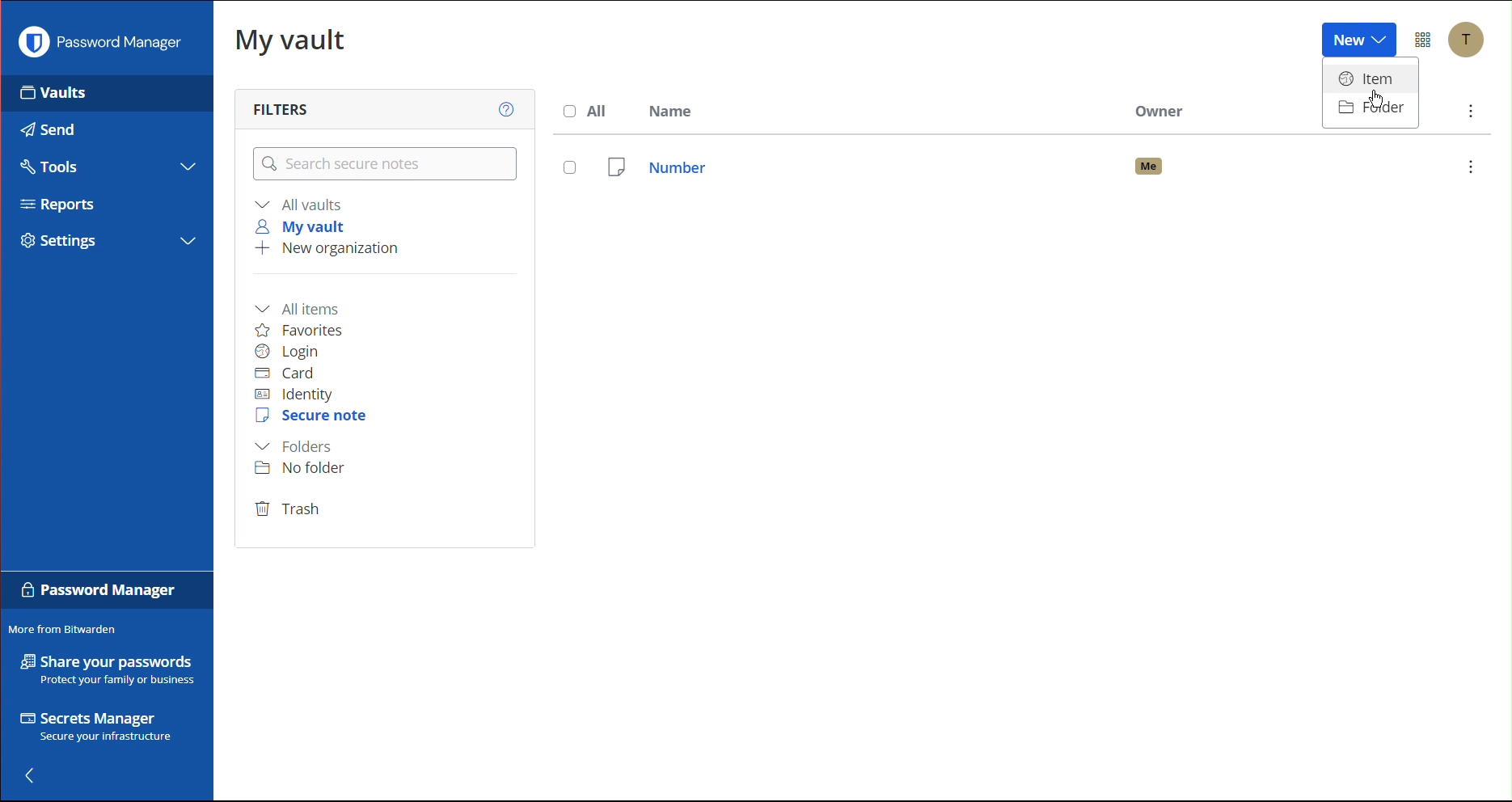 This screenshot has height=802, width=1512. I want to click on Vaults, so click(80, 93).